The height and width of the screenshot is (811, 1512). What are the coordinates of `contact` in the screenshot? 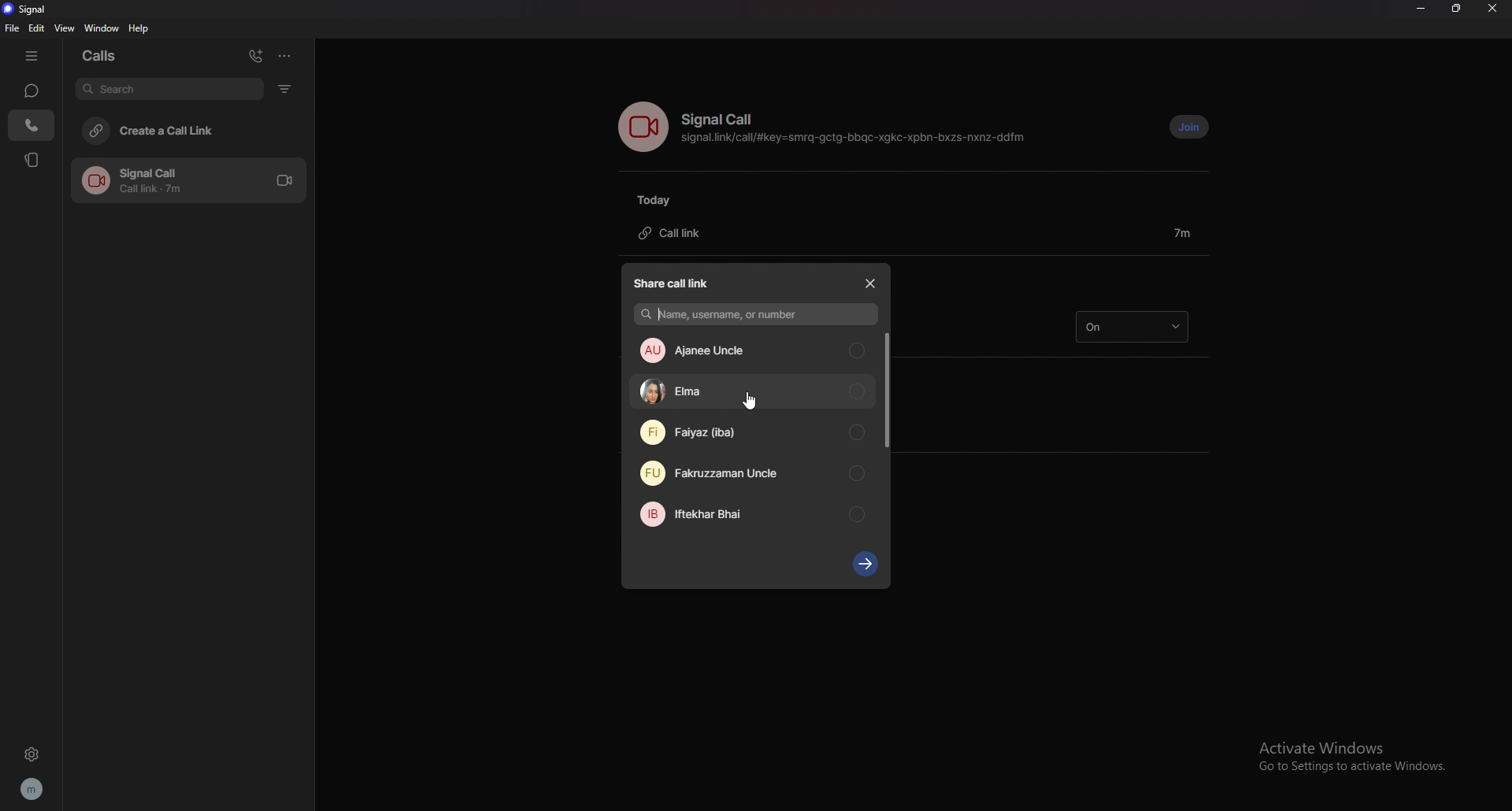 It's located at (754, 392).